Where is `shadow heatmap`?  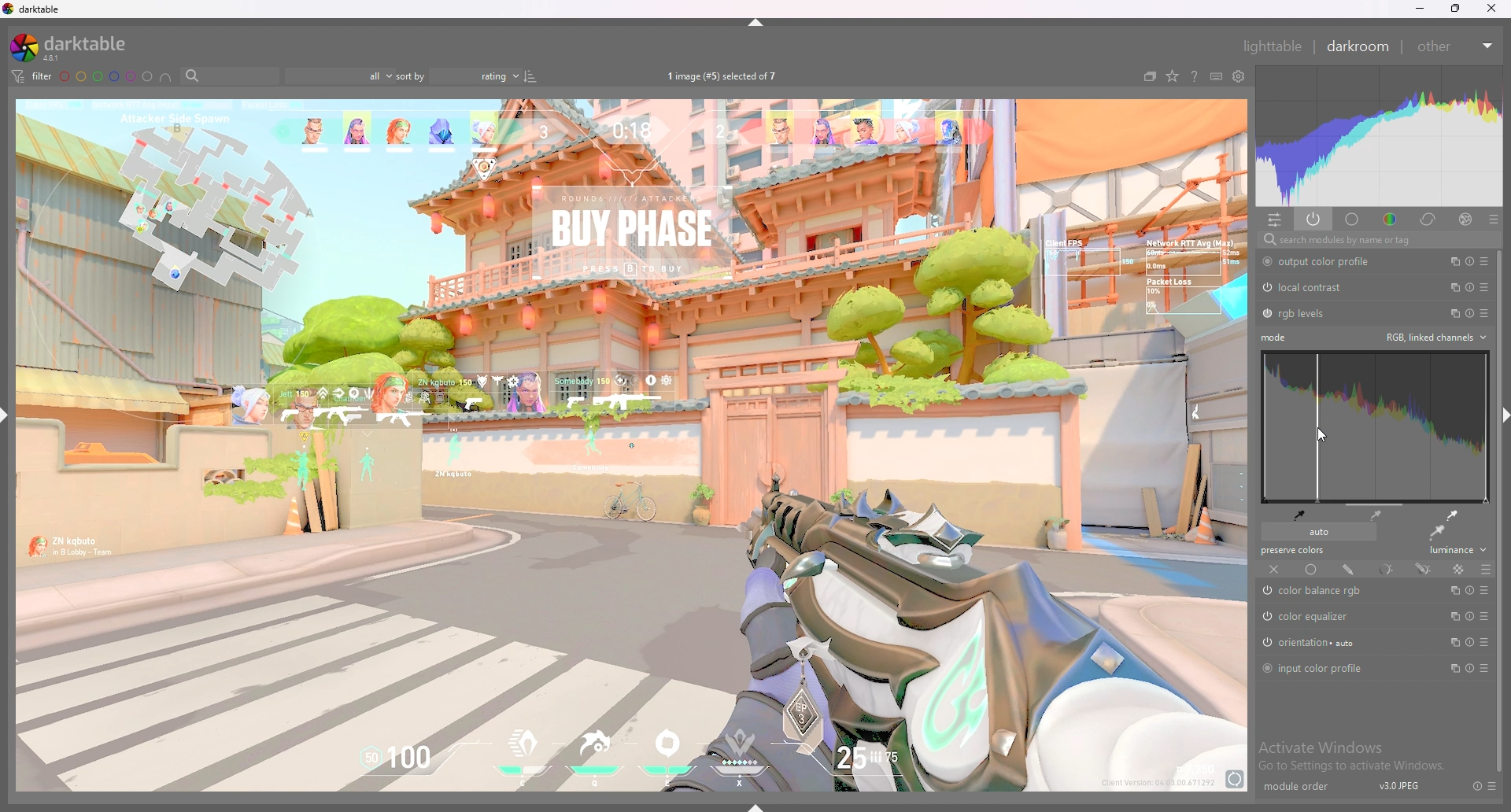
shadow heatmap is located at coordinates (1376, 427).